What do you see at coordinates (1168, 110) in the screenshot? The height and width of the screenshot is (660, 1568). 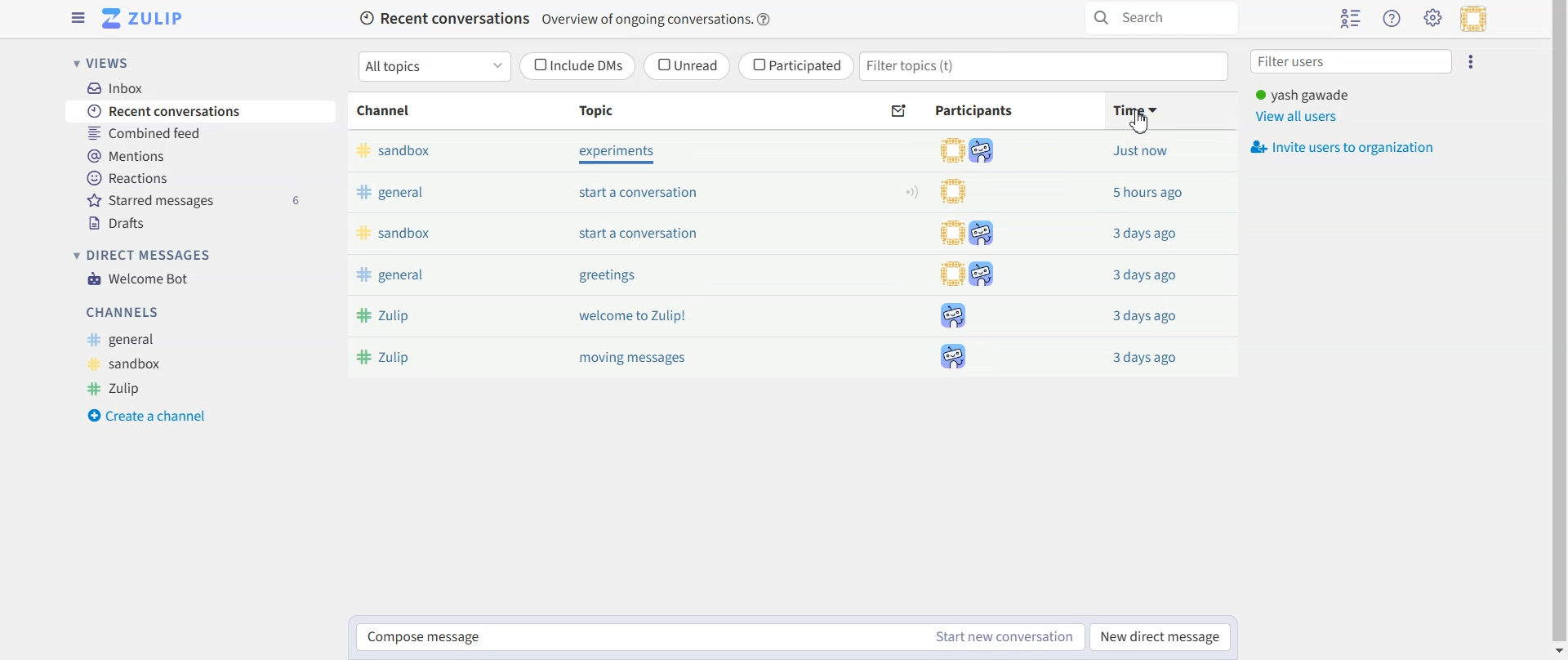 I see `Time` at bounding box center [1168, 110].